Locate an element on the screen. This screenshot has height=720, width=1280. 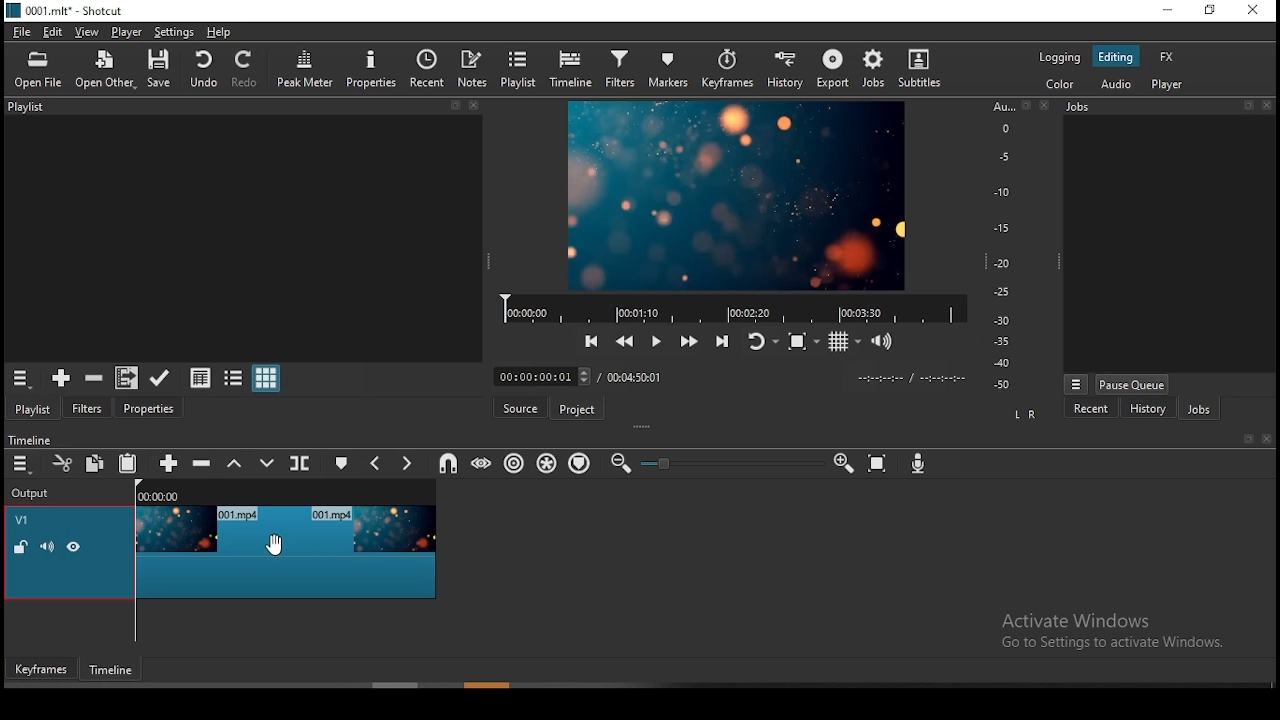
copy is located at coordinates (94, 463).